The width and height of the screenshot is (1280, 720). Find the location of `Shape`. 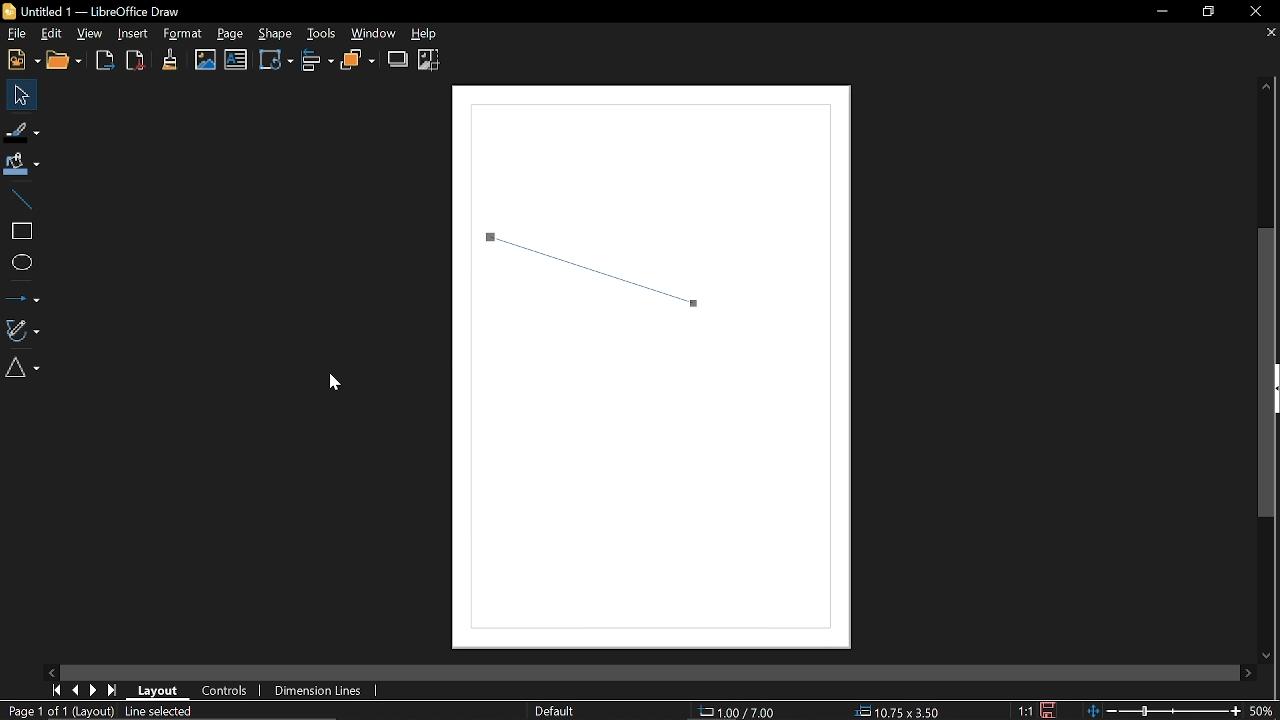

Shape is located at coordinates (274, 34).